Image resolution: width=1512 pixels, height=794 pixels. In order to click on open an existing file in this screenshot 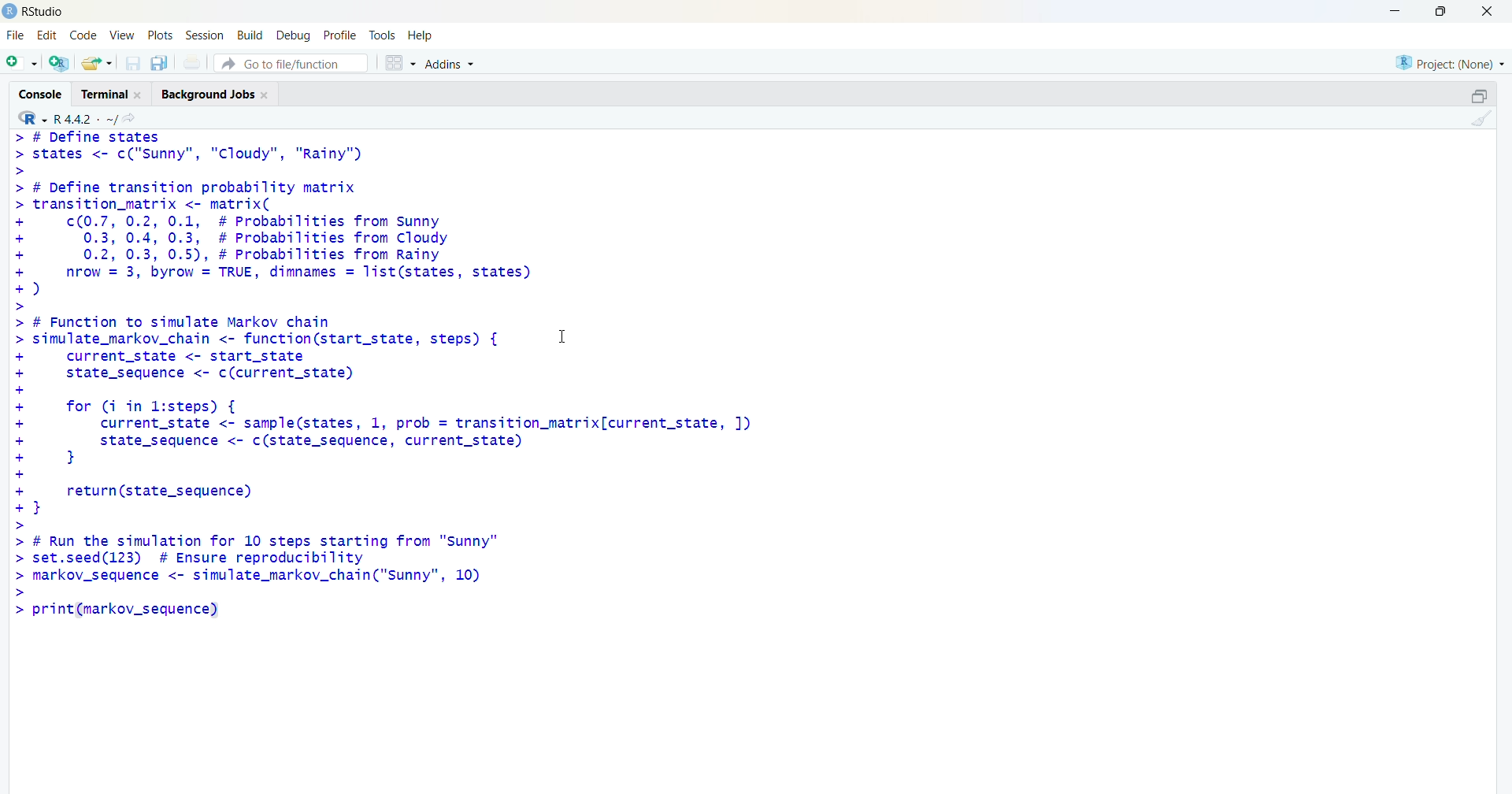, I will do `click(97, 62)`.